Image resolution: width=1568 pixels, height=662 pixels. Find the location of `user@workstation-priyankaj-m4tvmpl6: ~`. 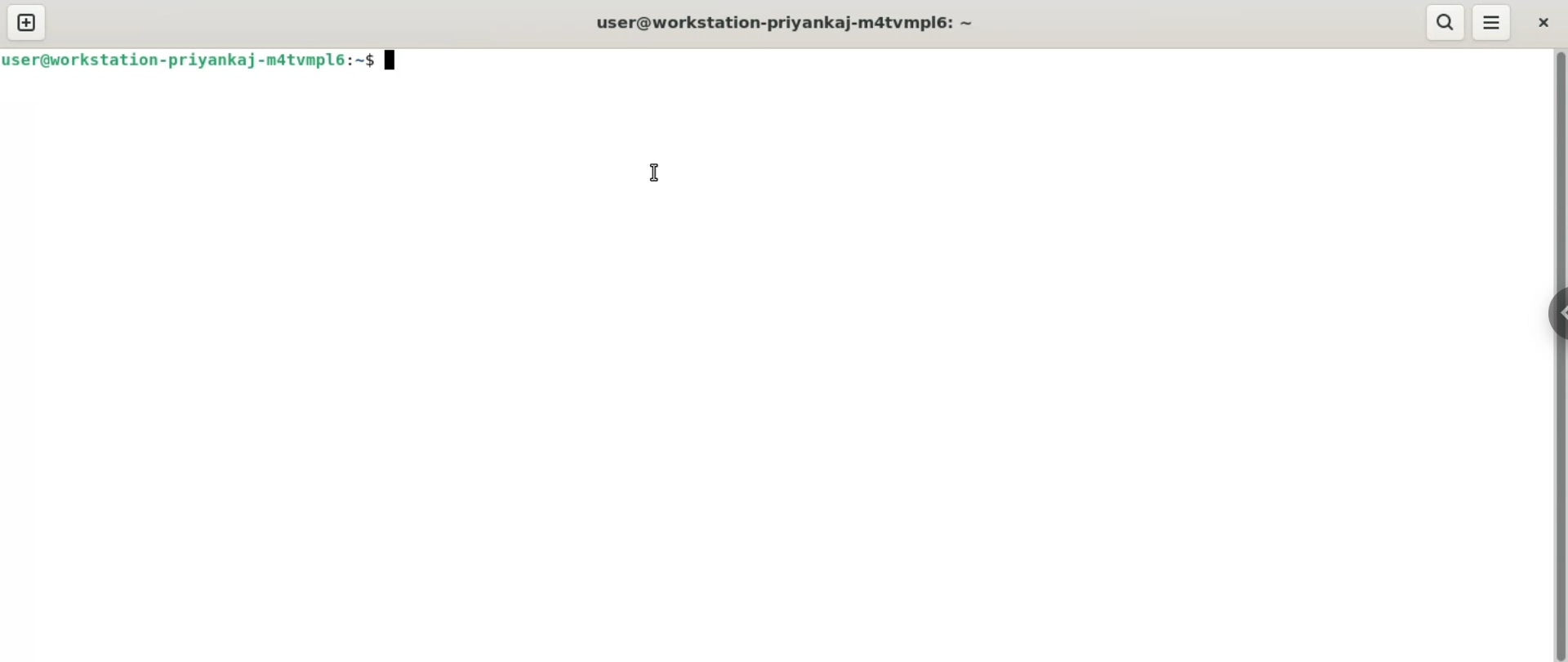

user@workstation-priyankaj-m4tvmpl6: ~ is located at coordinates (777, 23).